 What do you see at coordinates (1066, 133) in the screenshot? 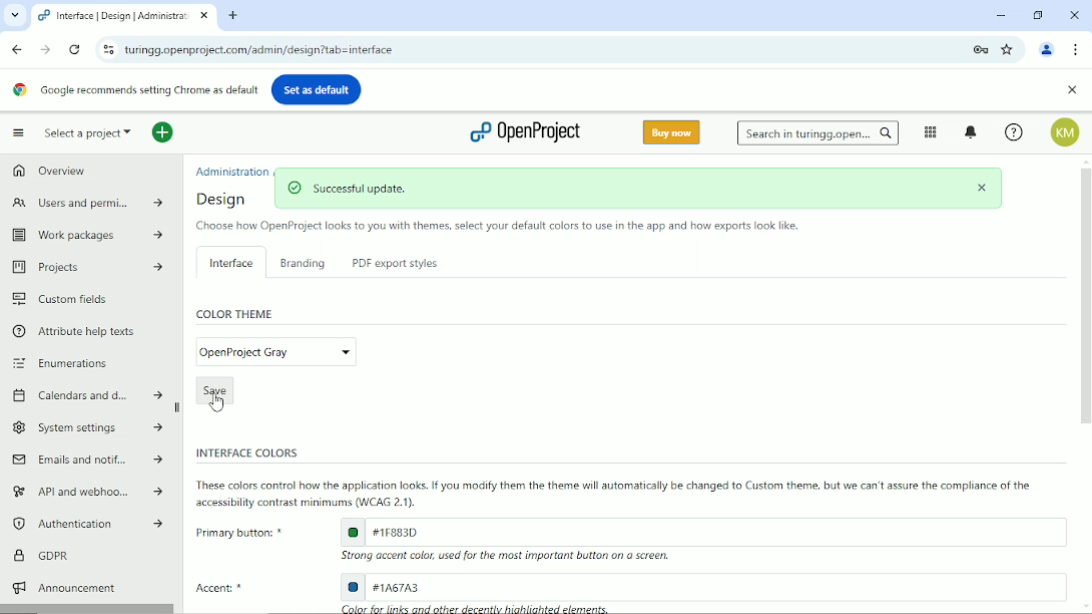
I see `Account` at bounding box center [1066, 133].